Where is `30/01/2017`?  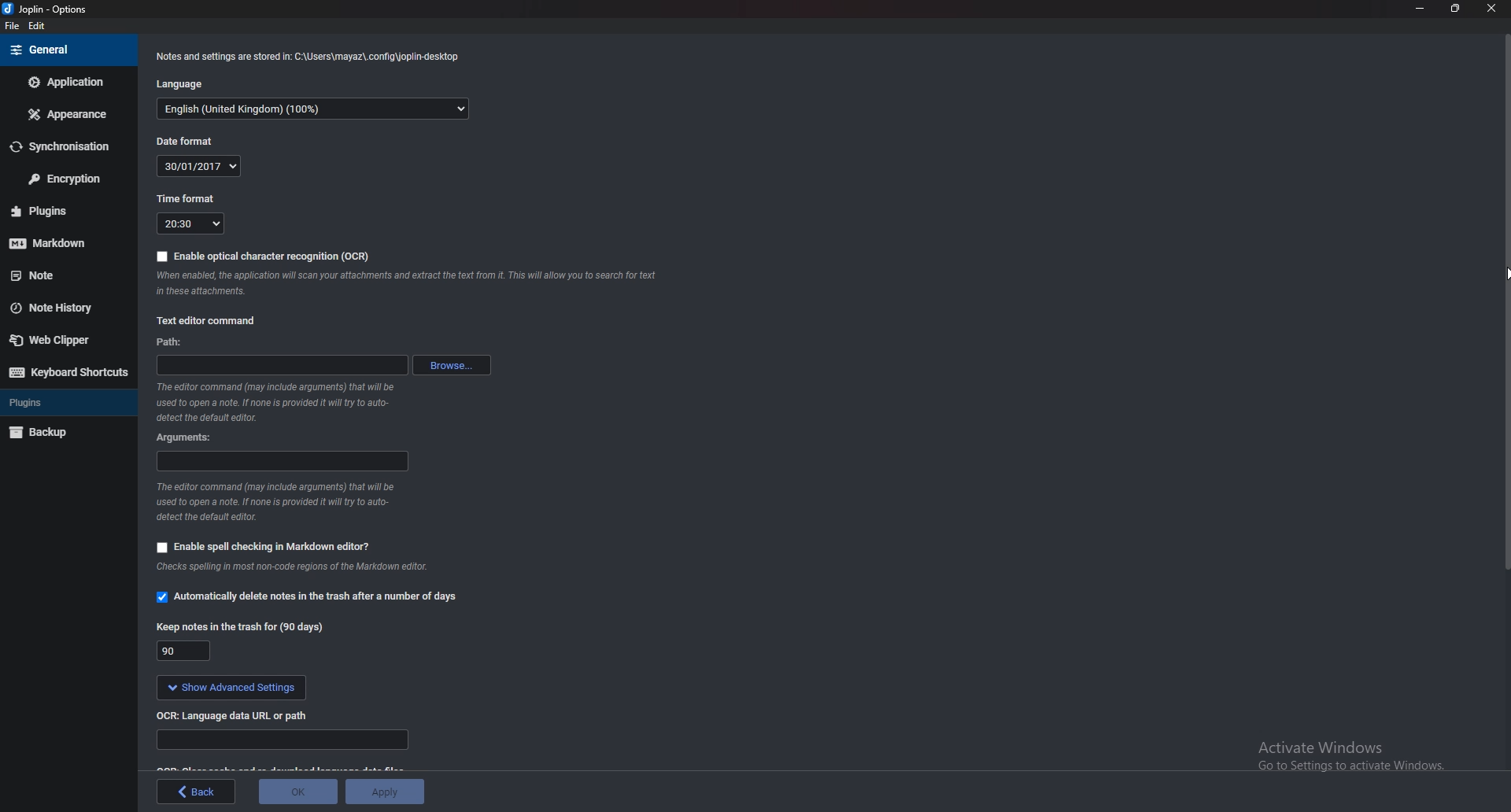
30/01/2017 is located at coordinates (198, 166).